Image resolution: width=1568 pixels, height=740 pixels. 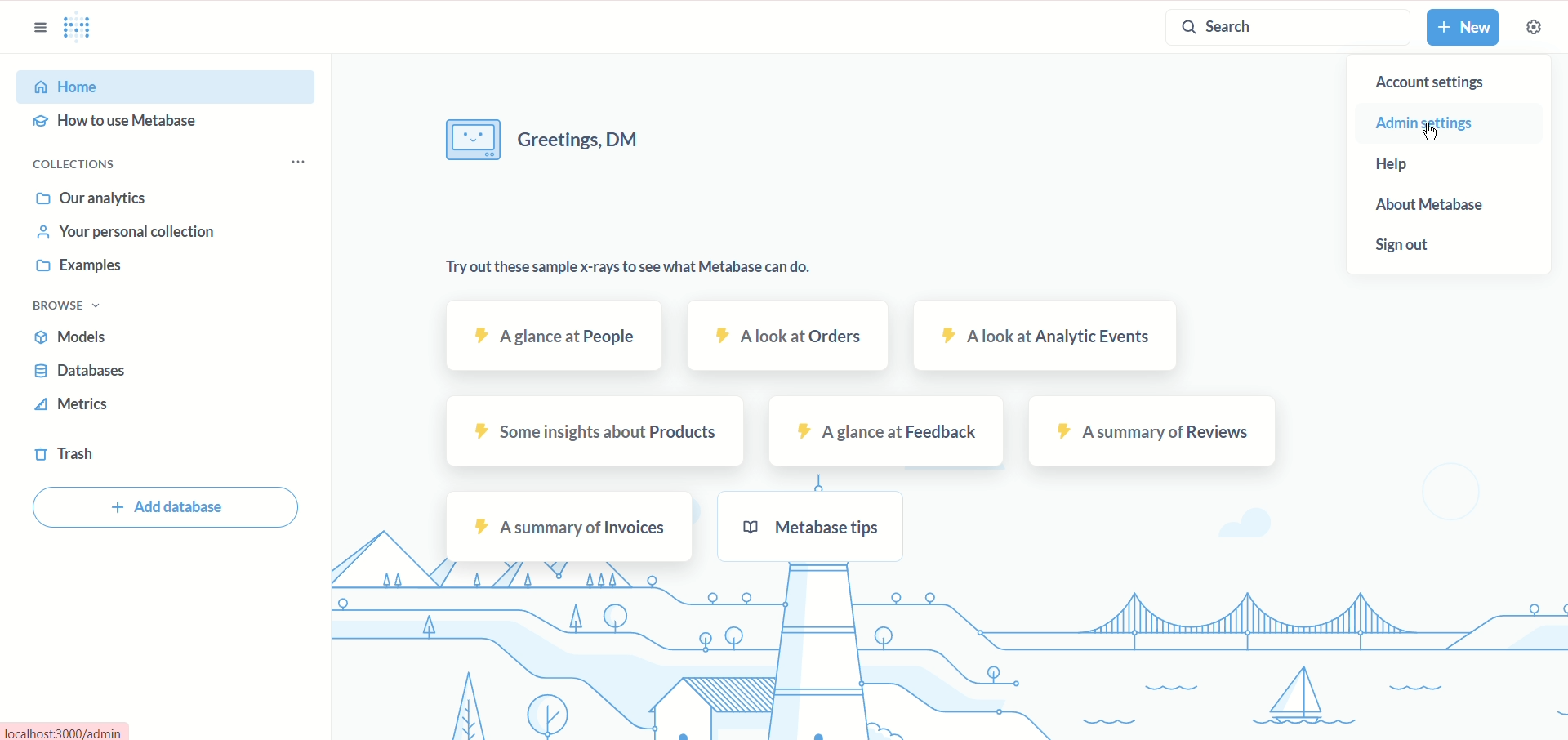 What do you see at coordinates (1407, 164) in the screenshot?
I see `Help` at bounding box center [1407, 164].